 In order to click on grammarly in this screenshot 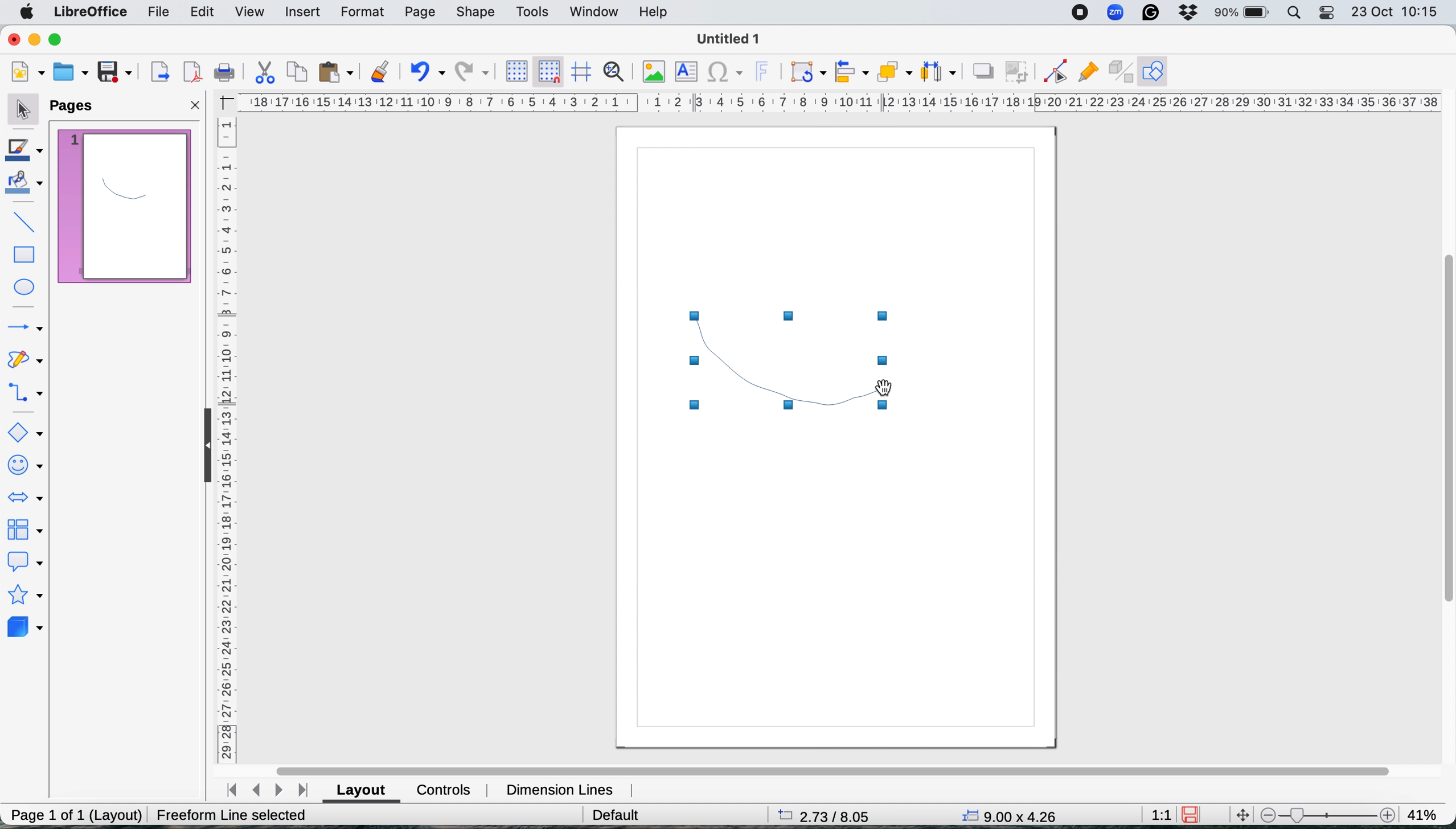, I will do `click(1150, 12)`.